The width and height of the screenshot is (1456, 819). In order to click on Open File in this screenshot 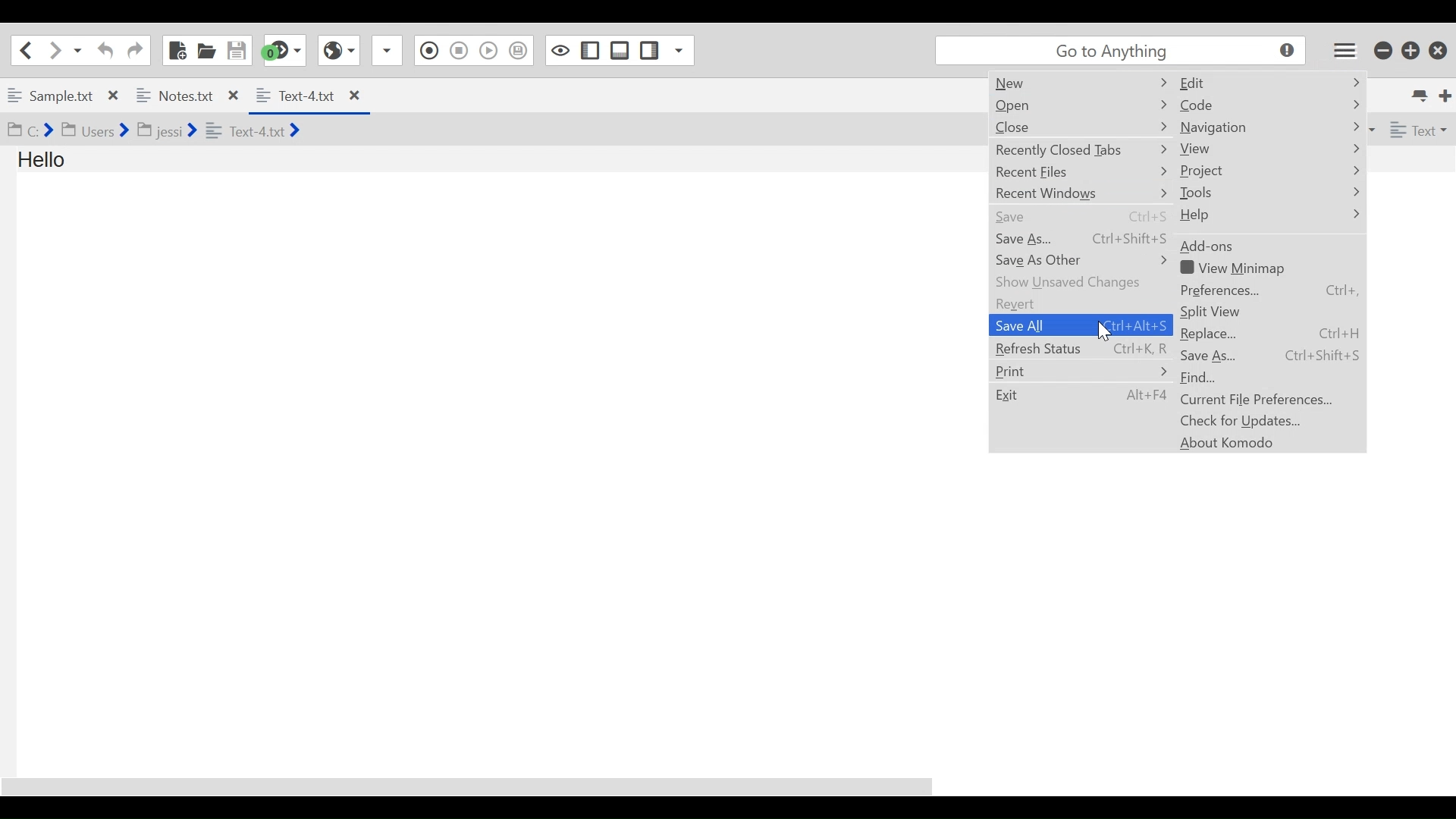, I will do `click(206, 50)`.